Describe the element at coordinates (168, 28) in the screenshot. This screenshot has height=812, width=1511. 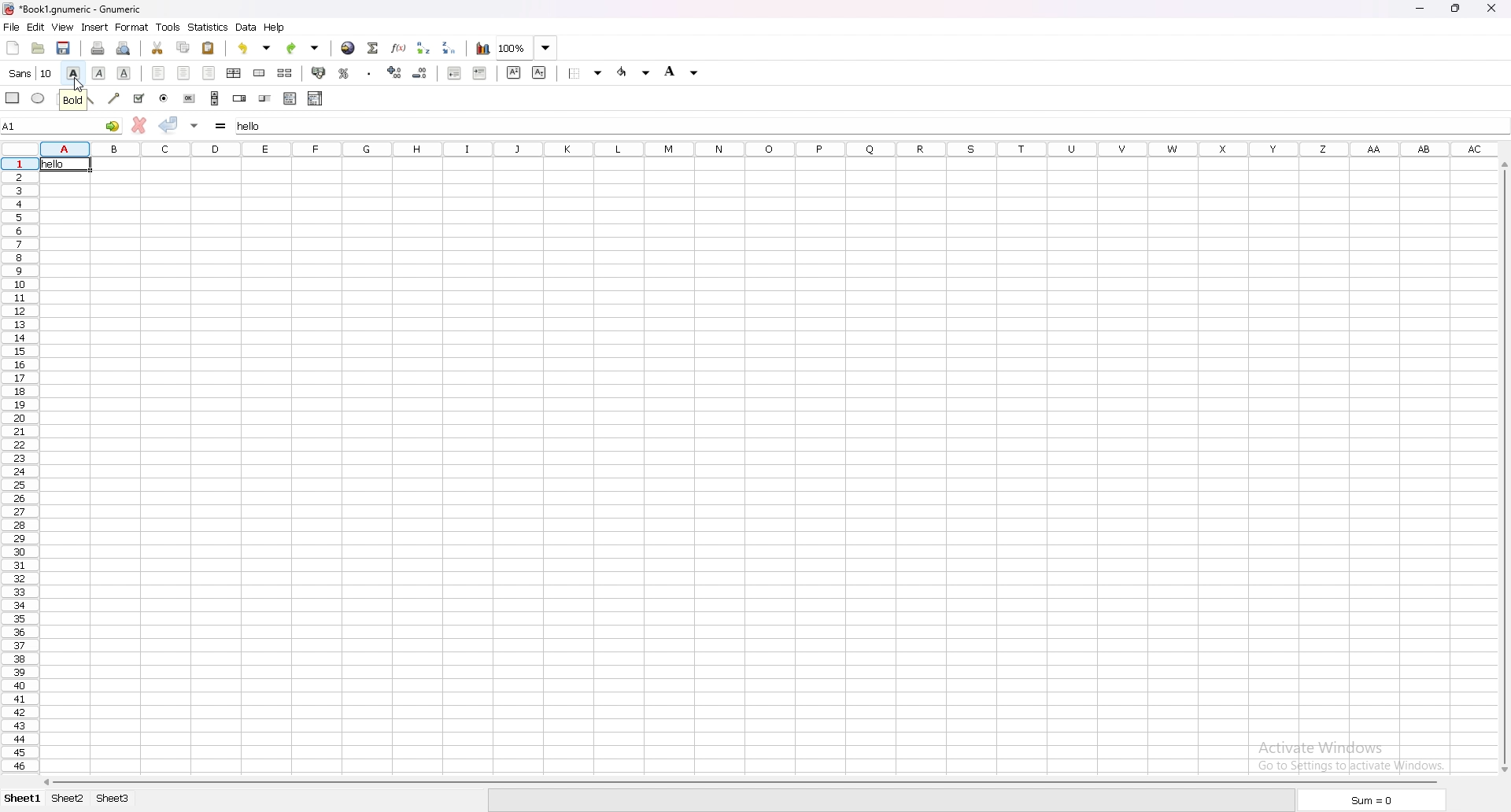
I see `tools` at that location.